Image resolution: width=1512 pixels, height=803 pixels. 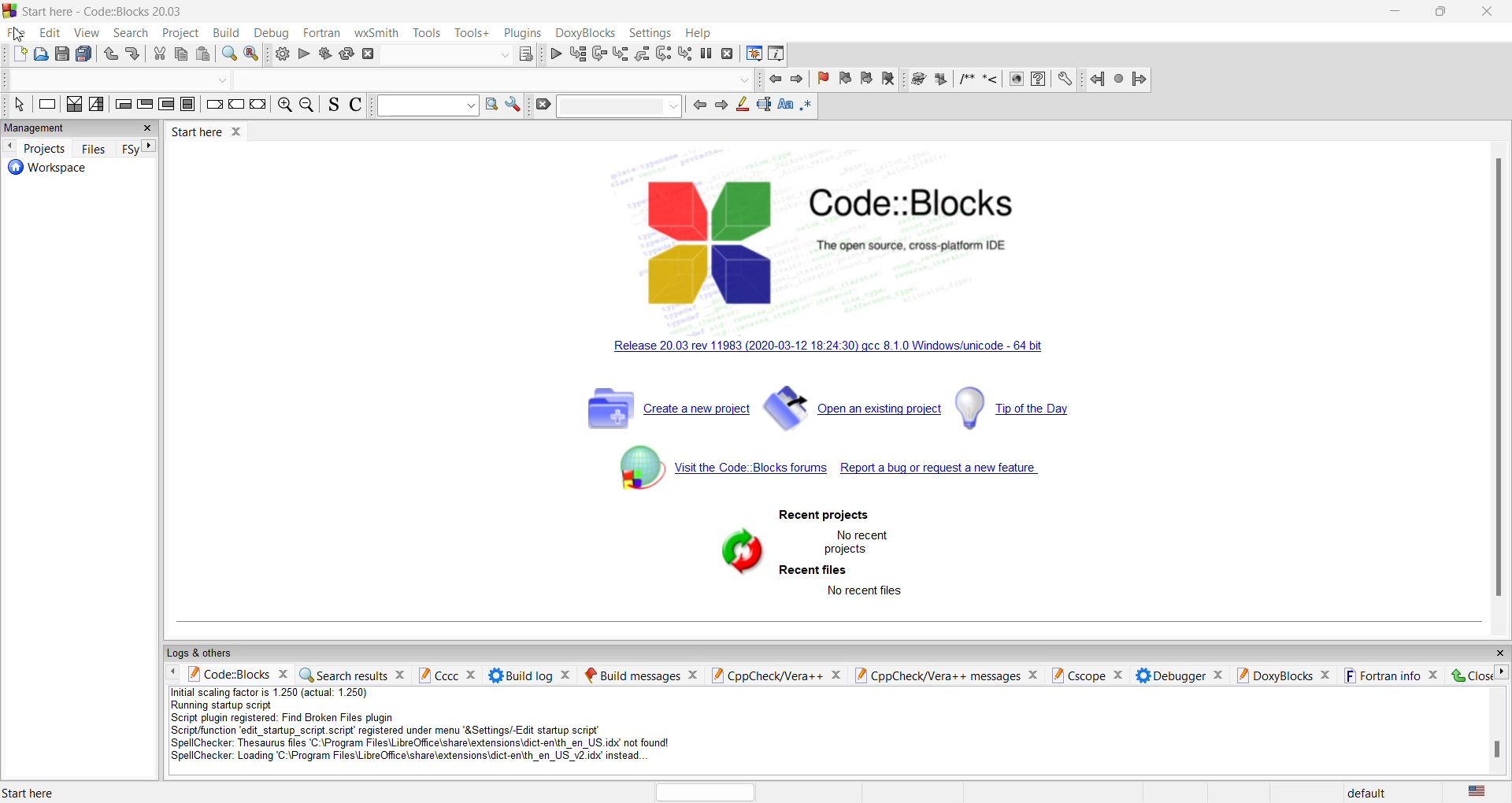 What do you see at coordinates (215, 110) in the screenshot?
I see `break instruction` at bounding box center [215, 110].